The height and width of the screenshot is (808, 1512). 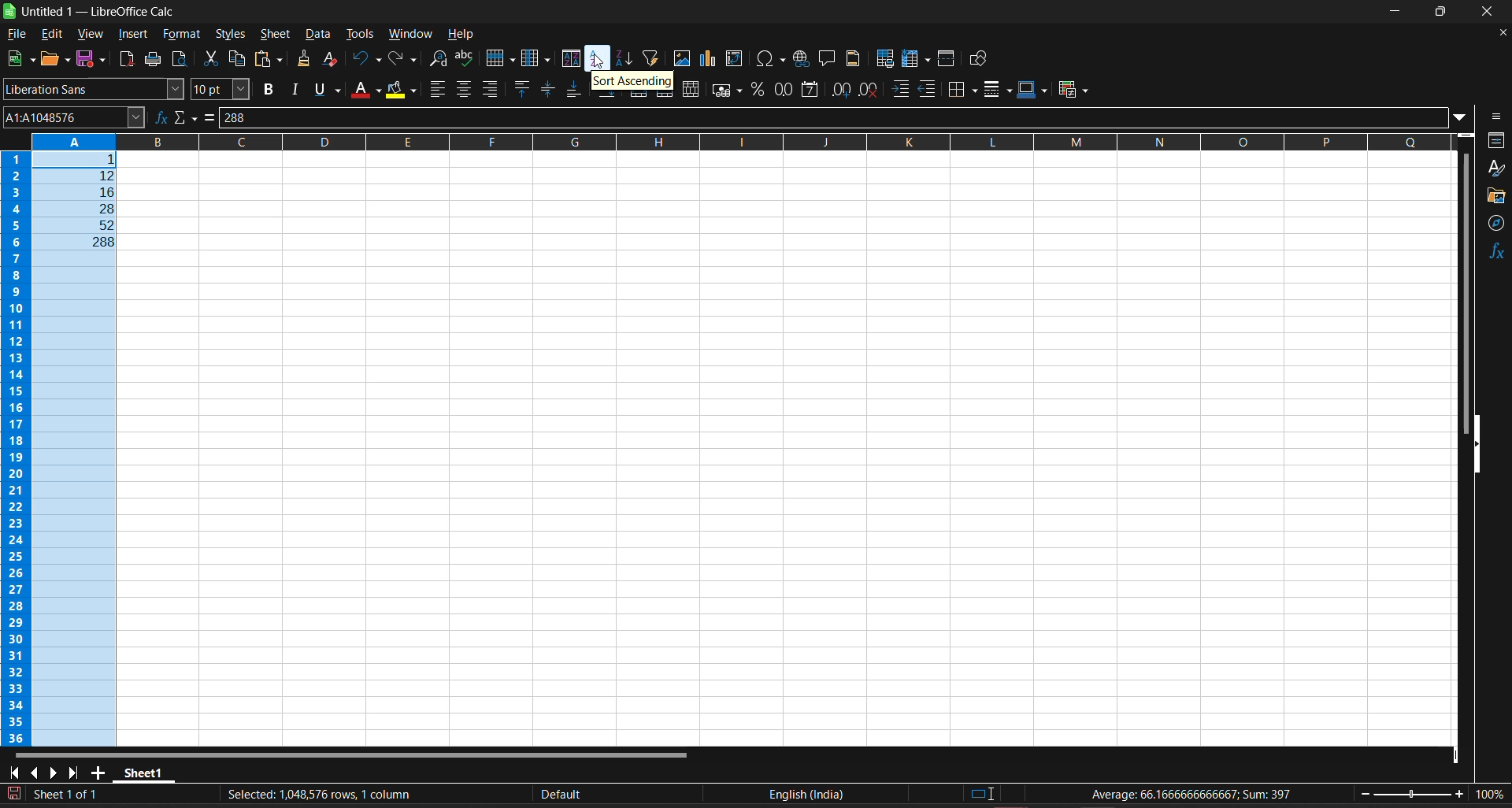 I want to click on gallery, so click(x=1495, y=195).